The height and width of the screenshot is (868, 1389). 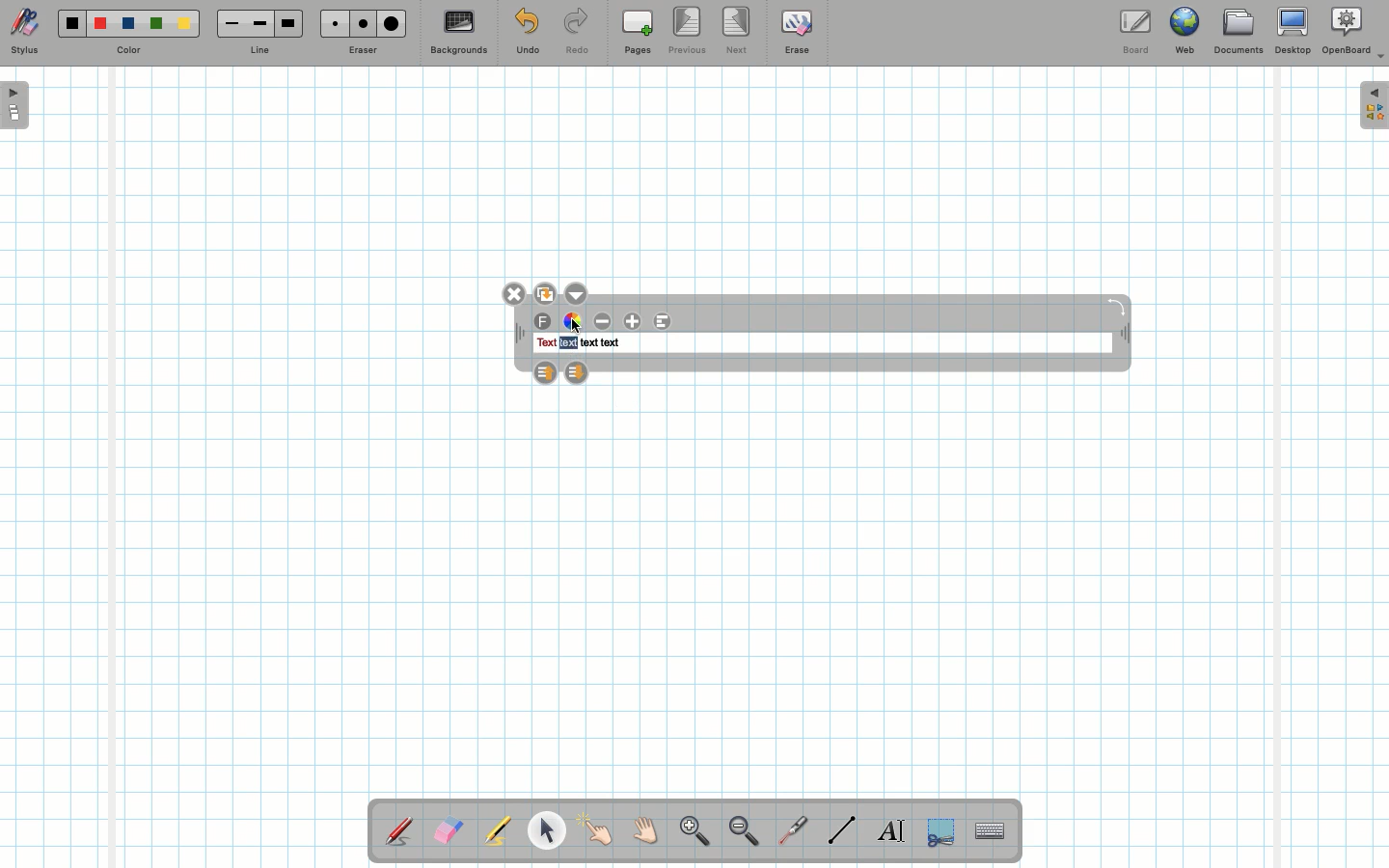 I want to click on Yellow, so click(x=184, y=23).